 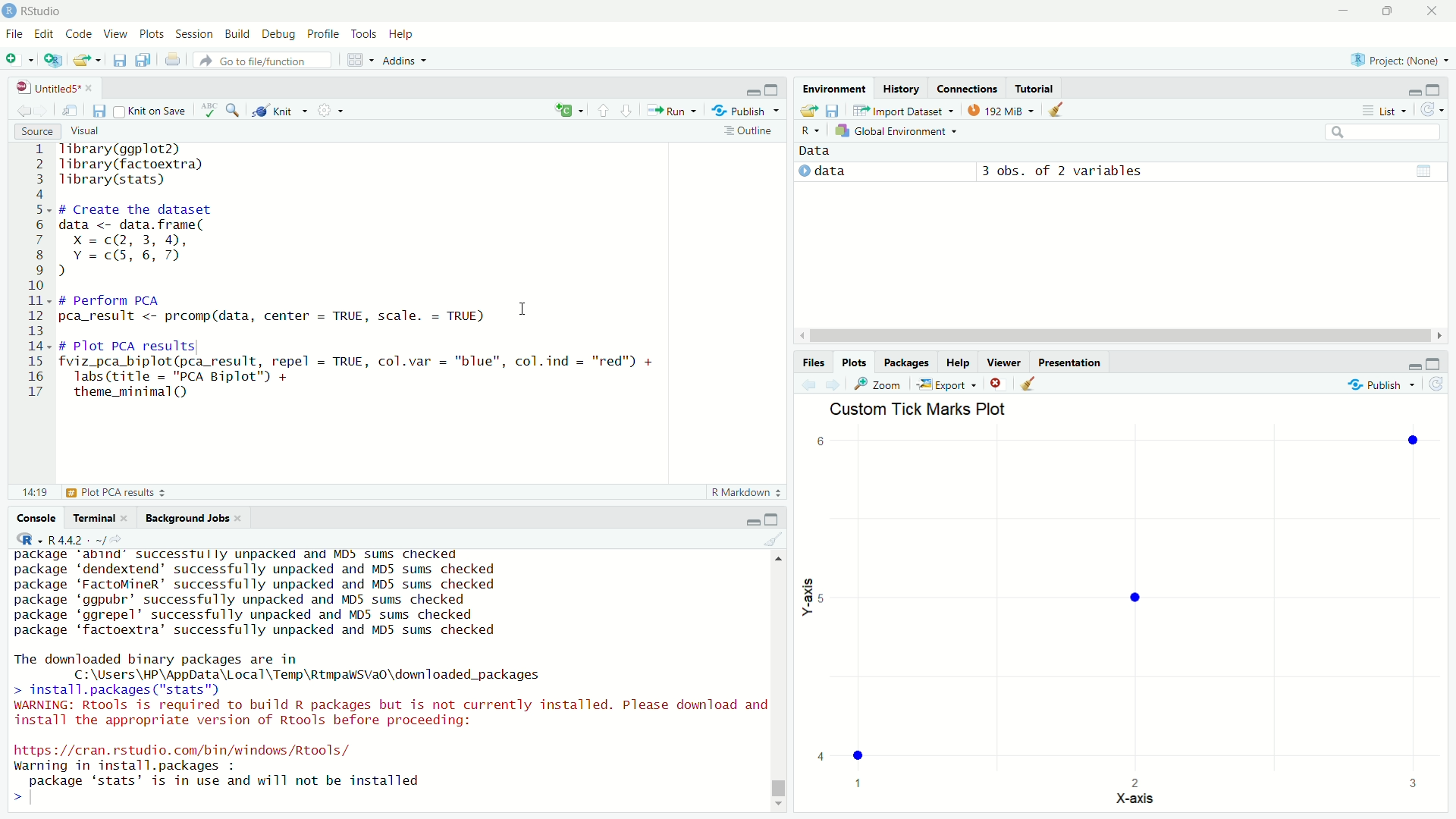 I want to click on zoom, so click(x=880, y=384).